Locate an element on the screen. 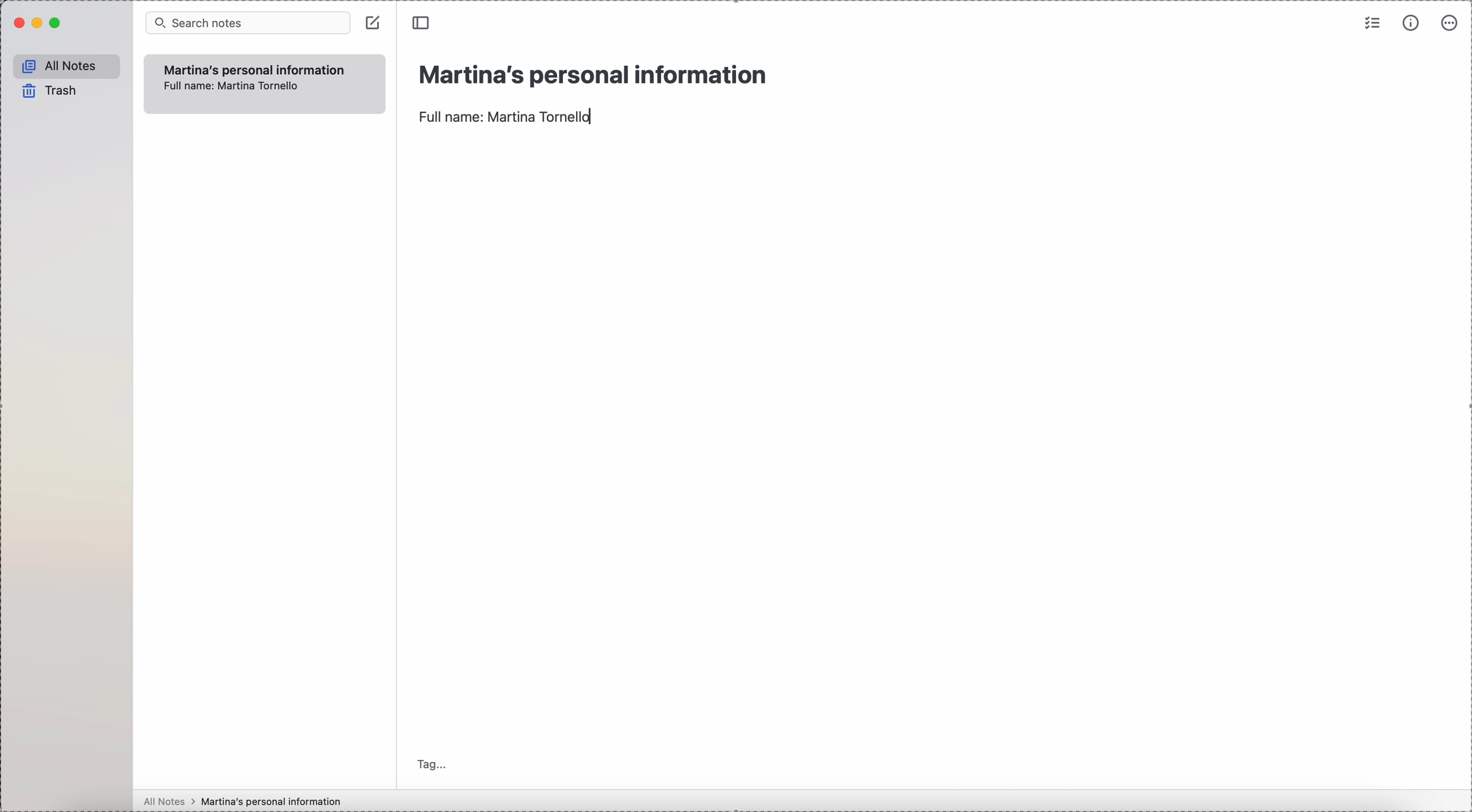 The image size is (1472, 812). title: Martina's personal information is located at coordinates (591, 74).